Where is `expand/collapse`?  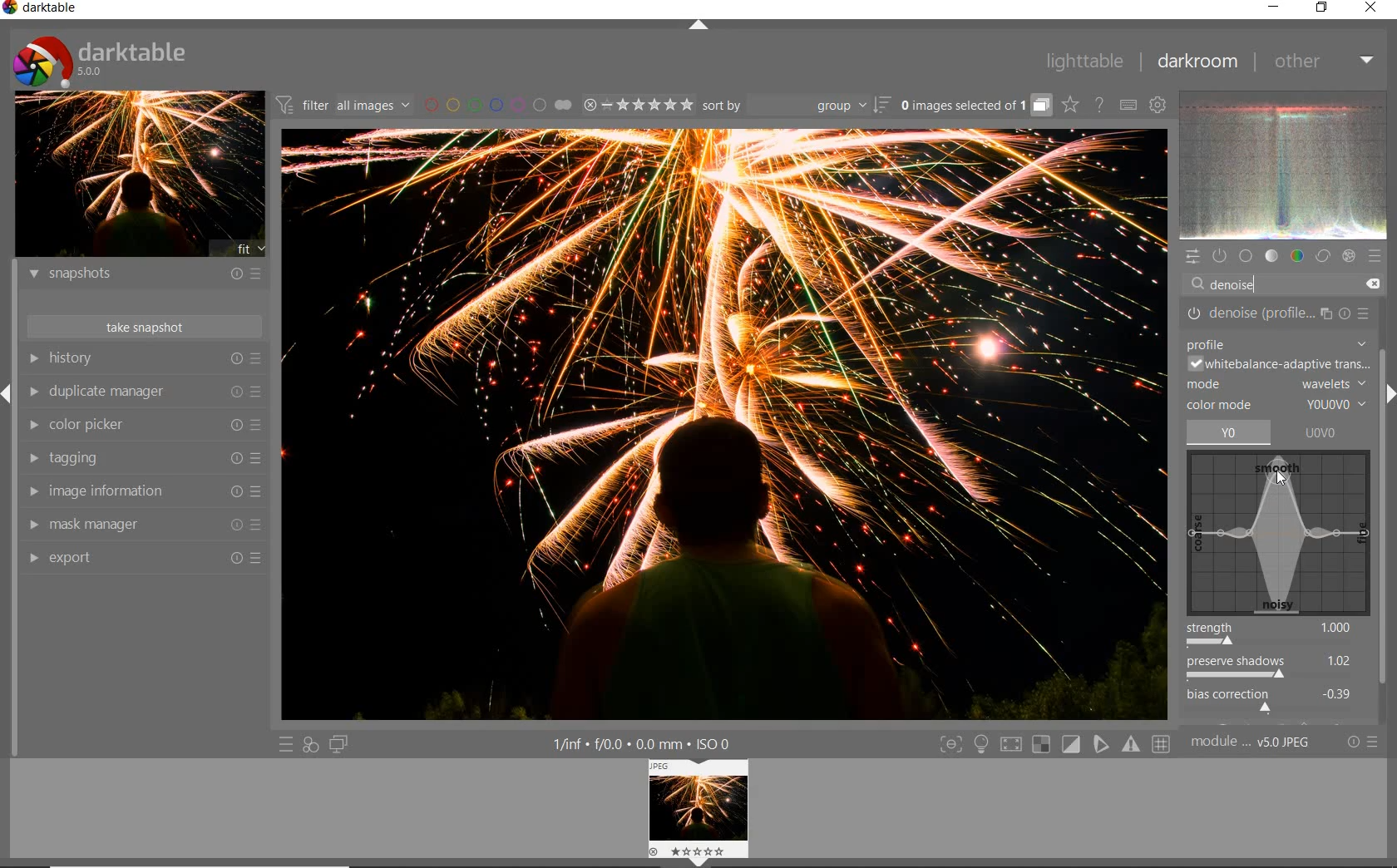
expand/collapse is located at coordinates (700, 26).